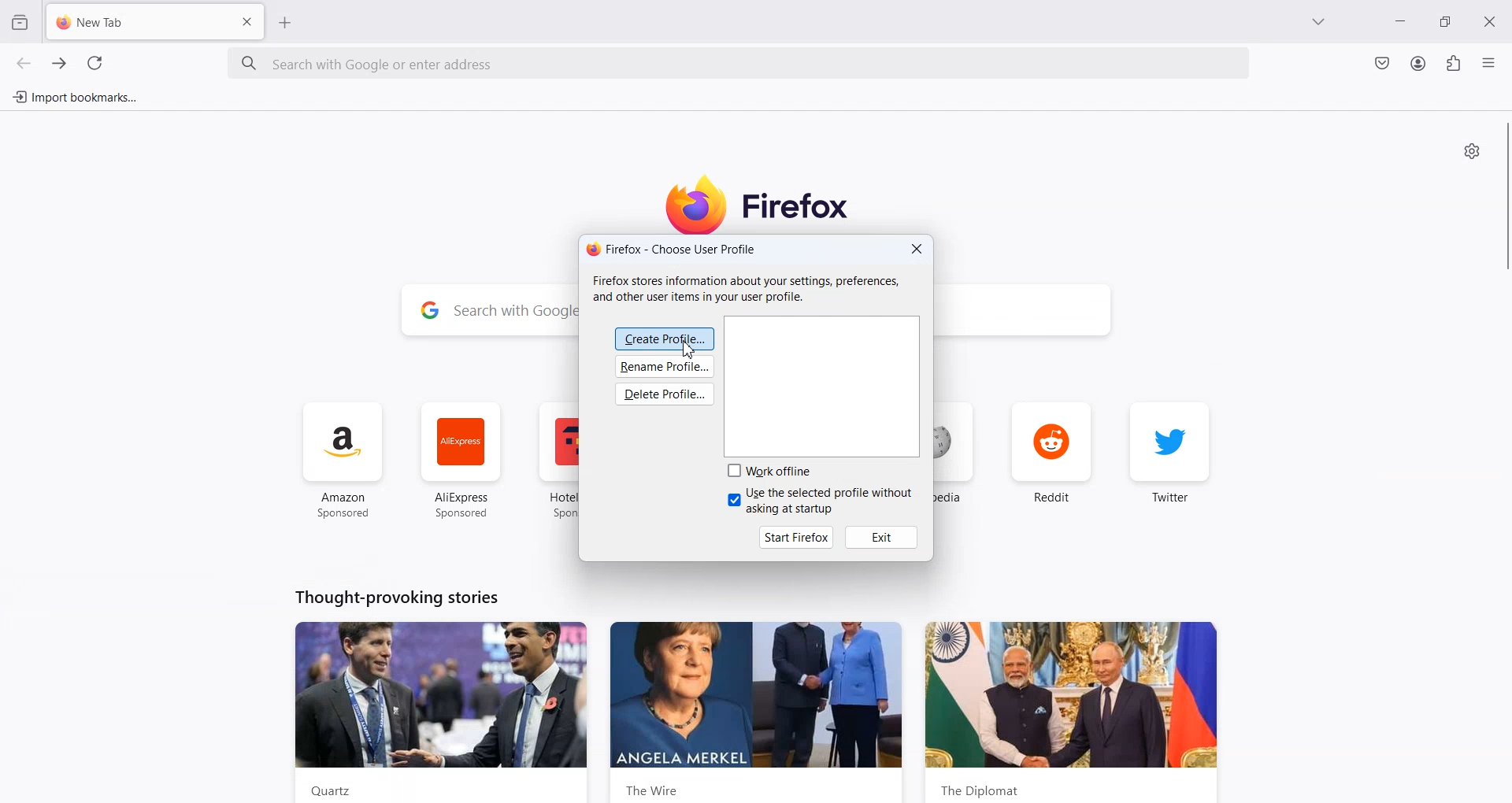 This screenshot has width=1512, height=803. Describe the element at coordinates (24, 63) in the screenshot. I see `Go back one page` at that location.